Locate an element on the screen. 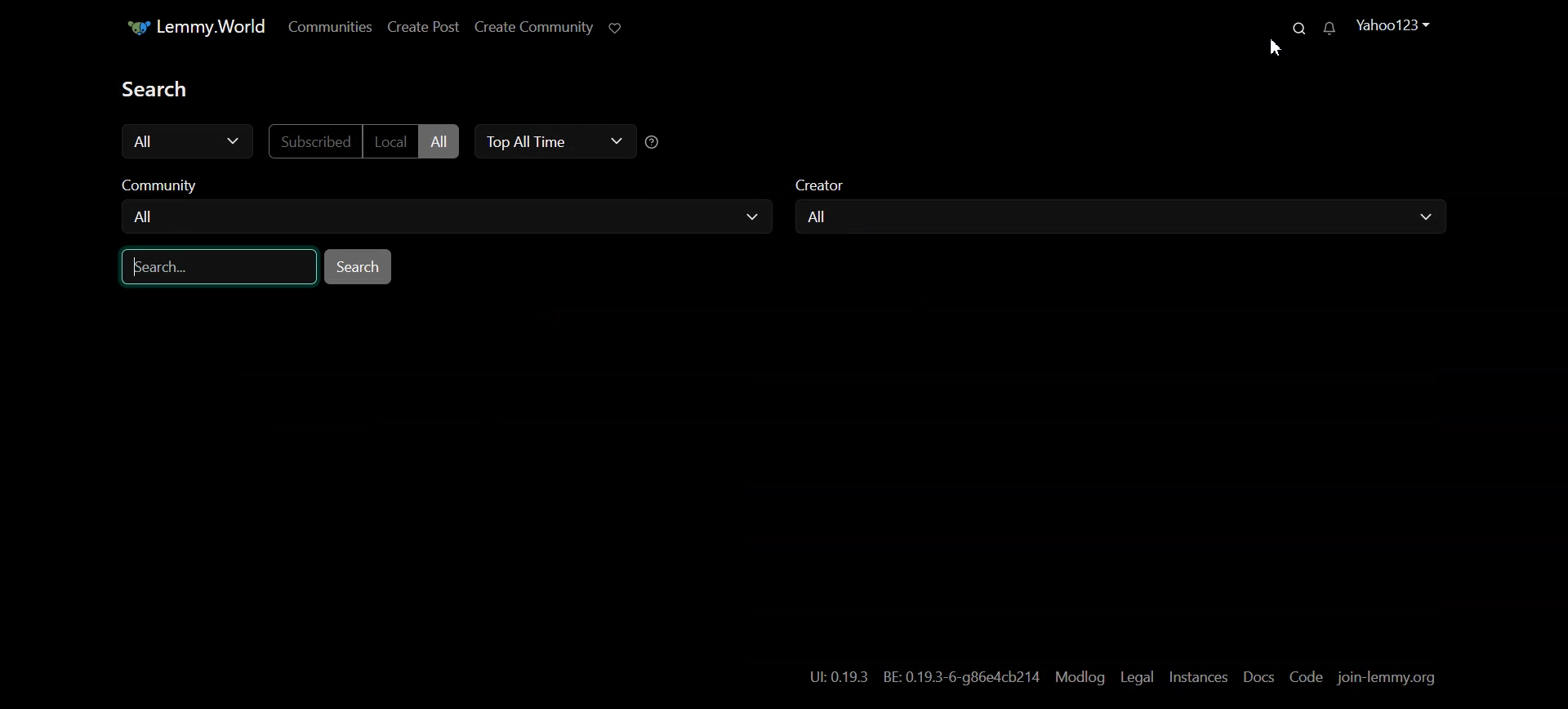  Legal is located at coordinates (1136, 676).